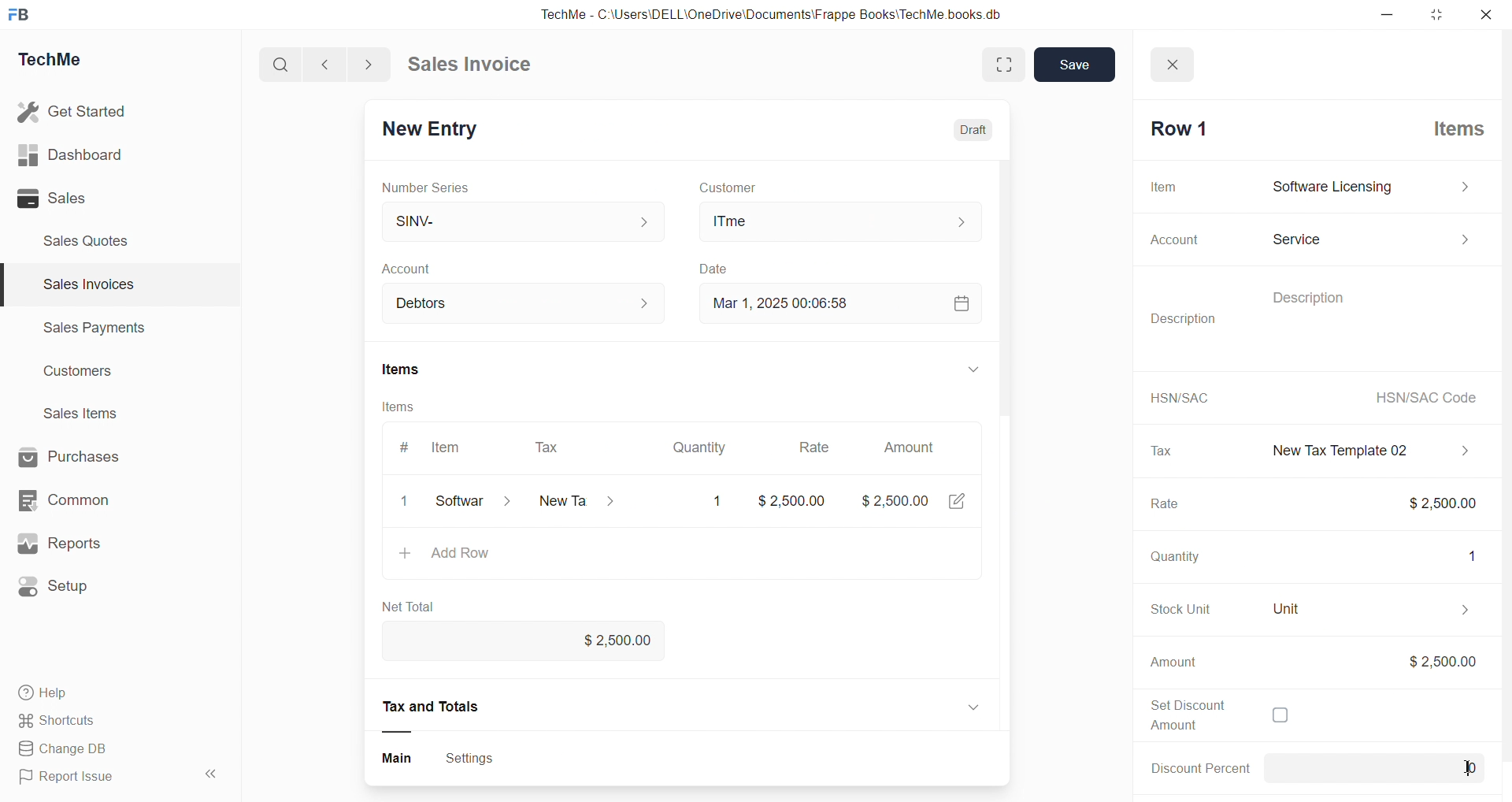 This screenshot has height=802, width=1512. I want to click on $2,500.00, so click(609, 641).